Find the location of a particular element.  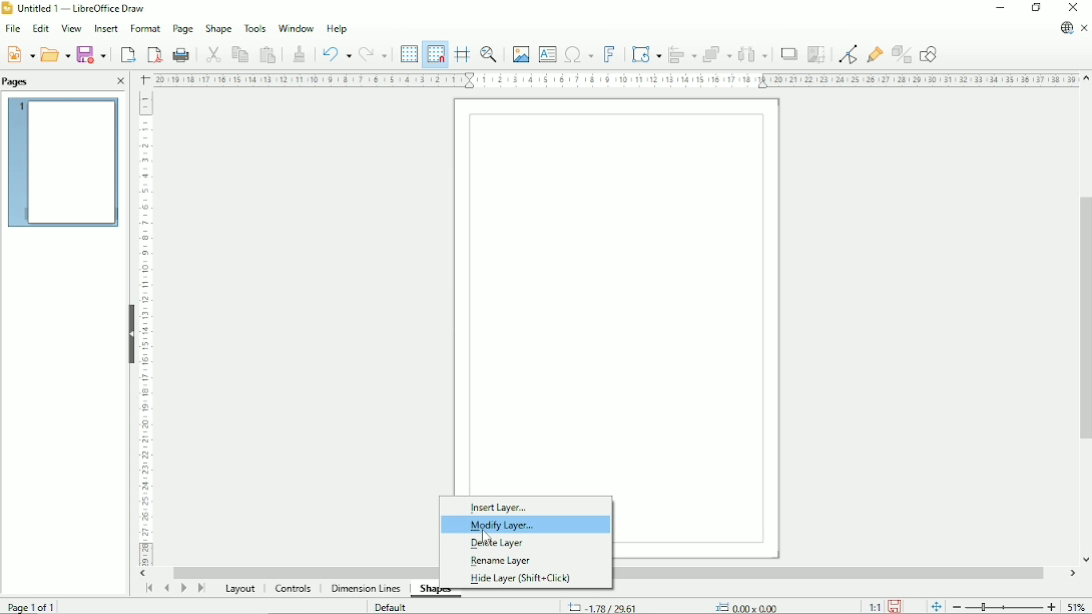

Export is located at coordinates (126, 53).